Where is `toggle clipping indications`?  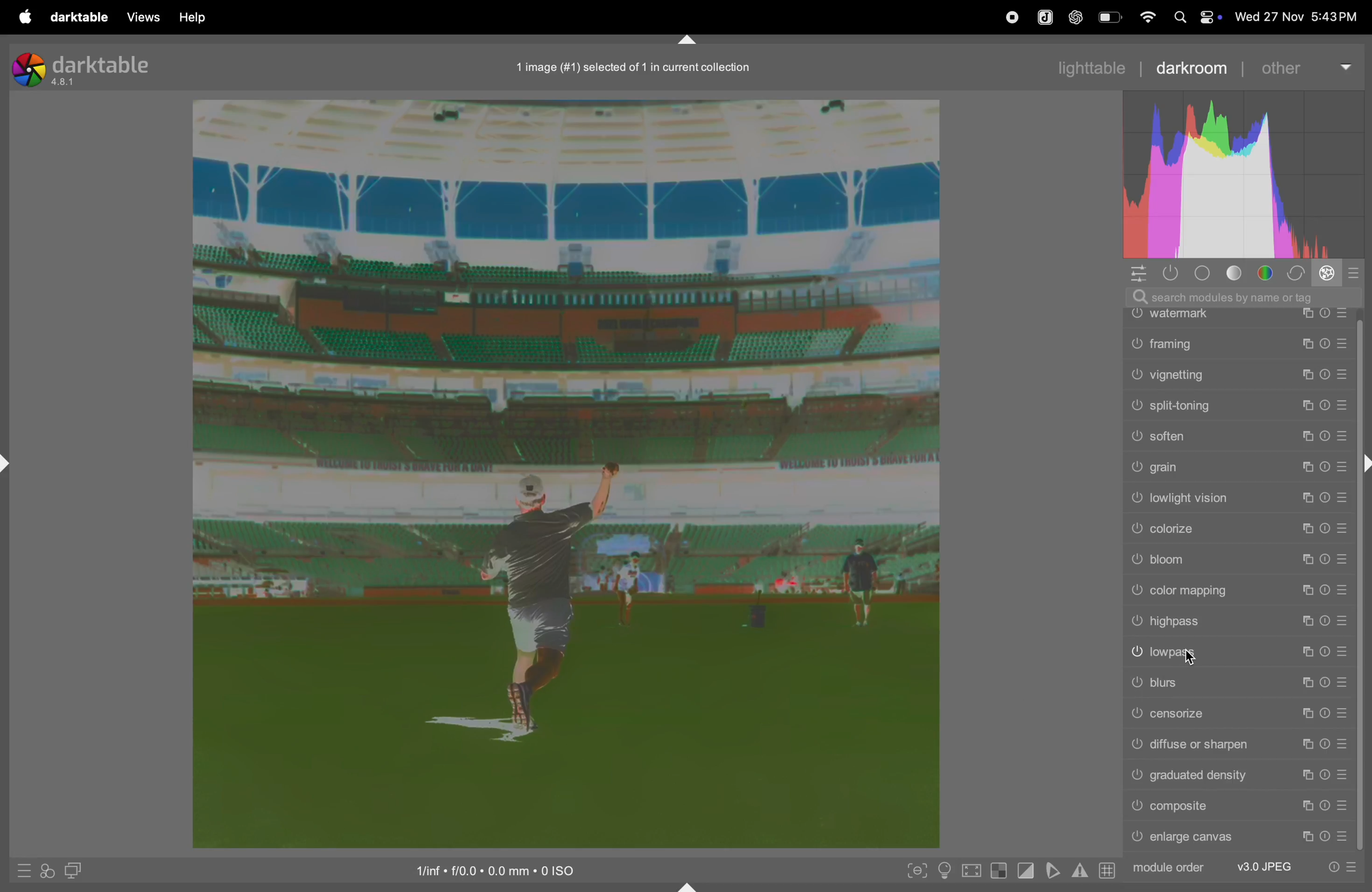
toggle clipping indications is located at coordinates (1027, 870).